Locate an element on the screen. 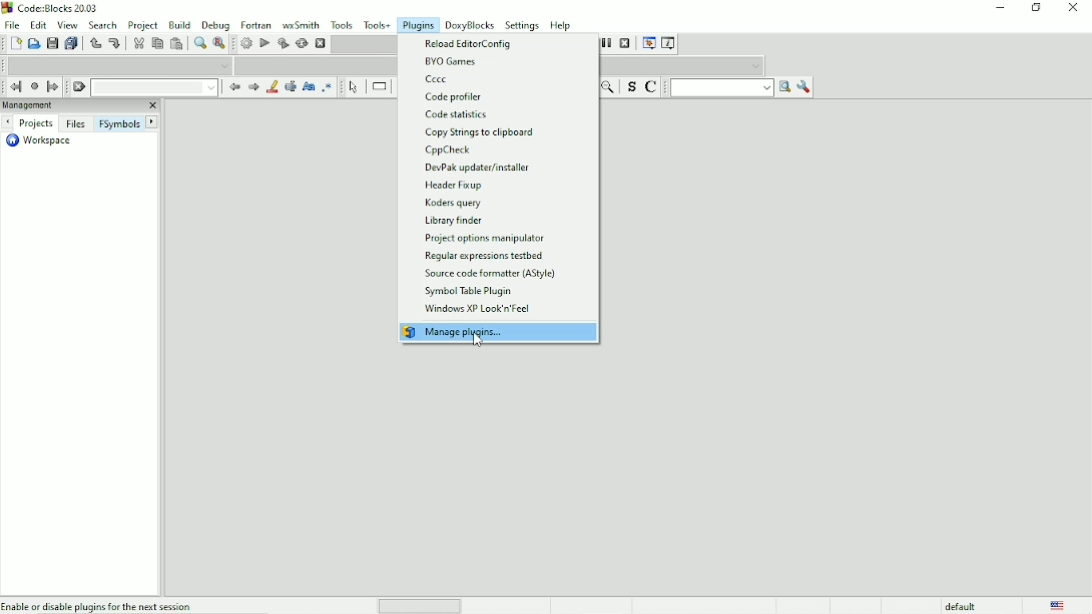 Image resolution: width=1092 pixels, height=614 pixels. New file is located at coordinates (16, 44).